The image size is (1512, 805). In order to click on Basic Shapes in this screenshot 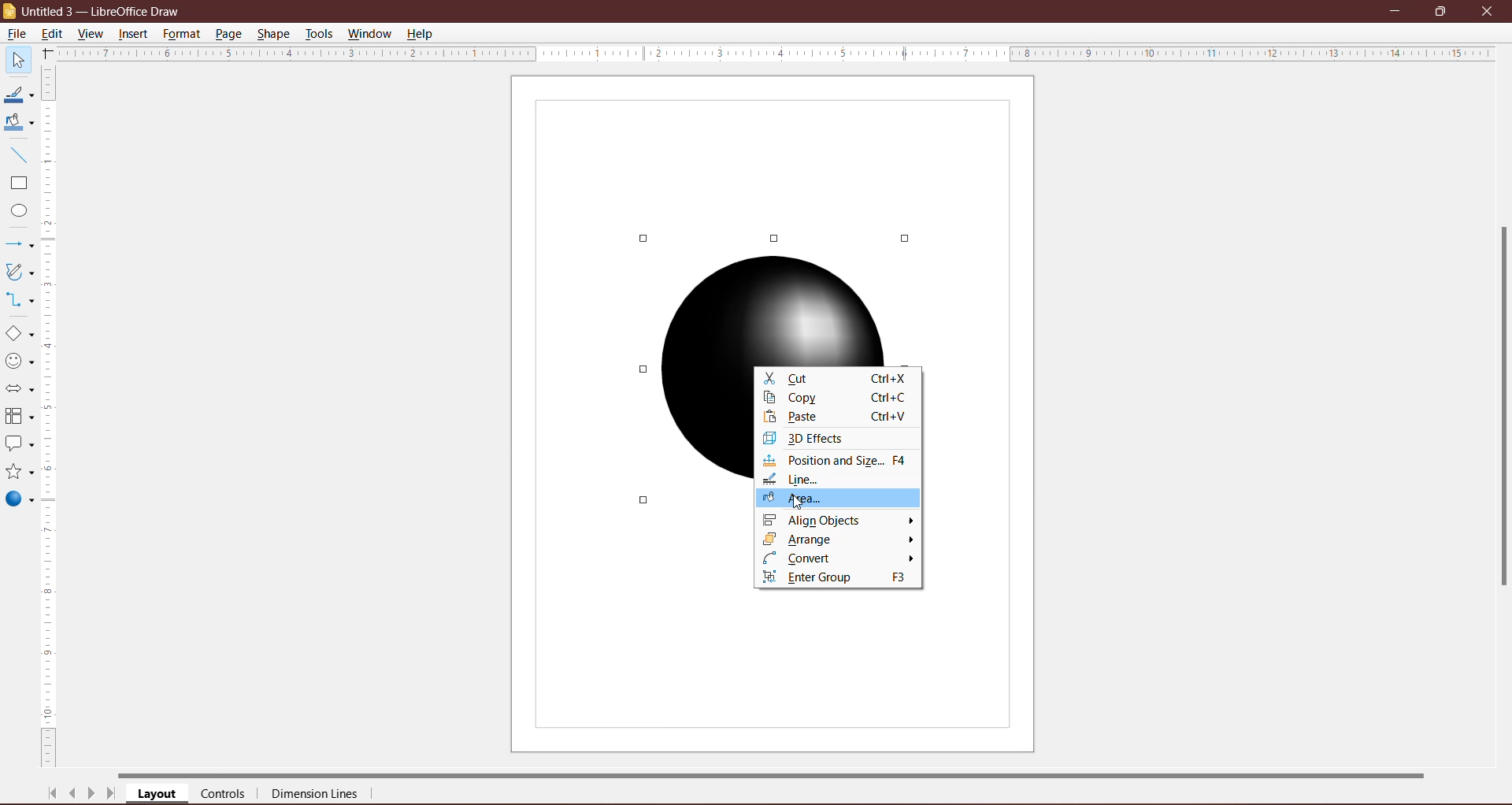, I will do `click(19, 334)`.